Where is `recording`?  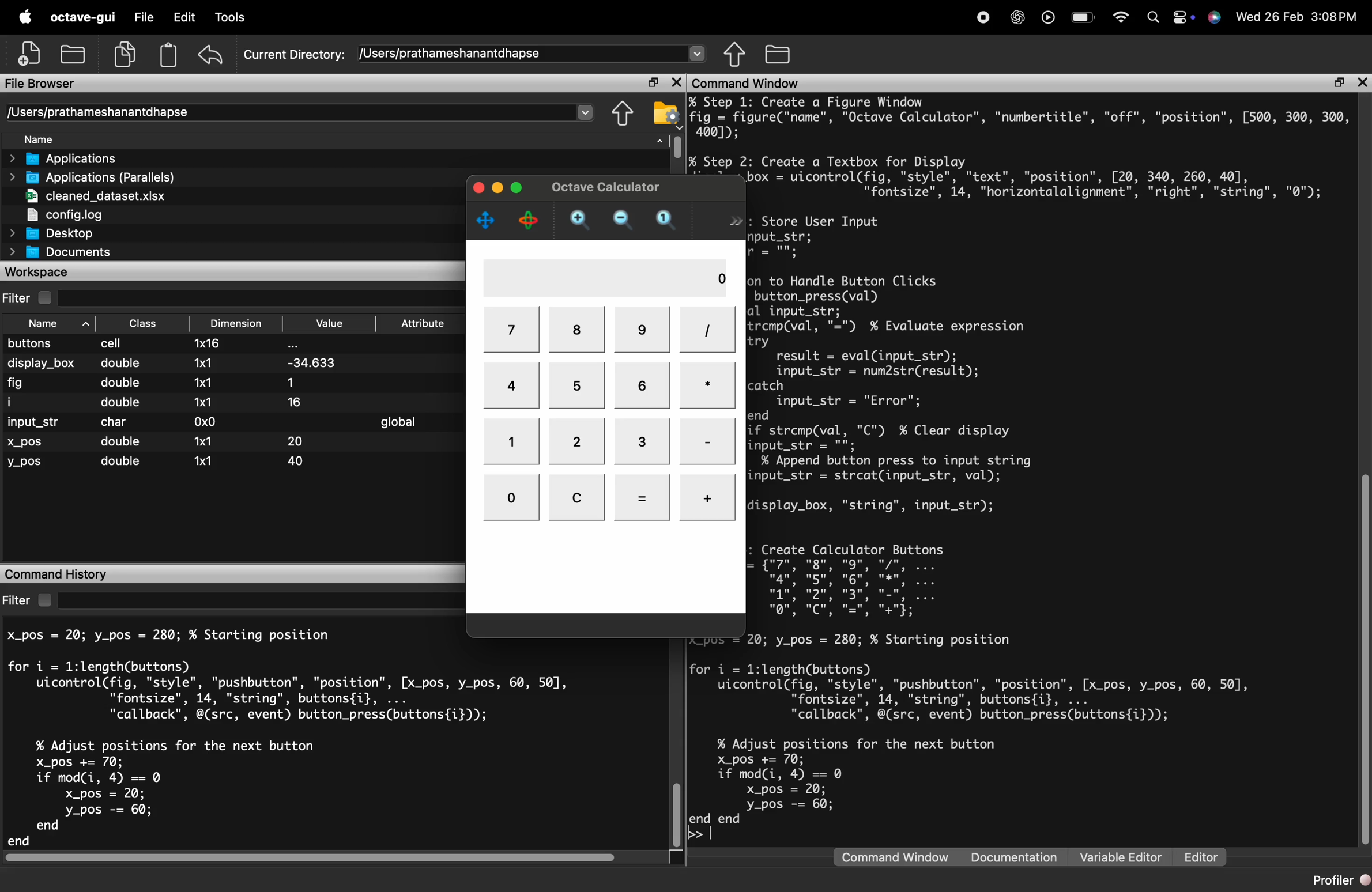 recording is located at coordinates (985, 20).